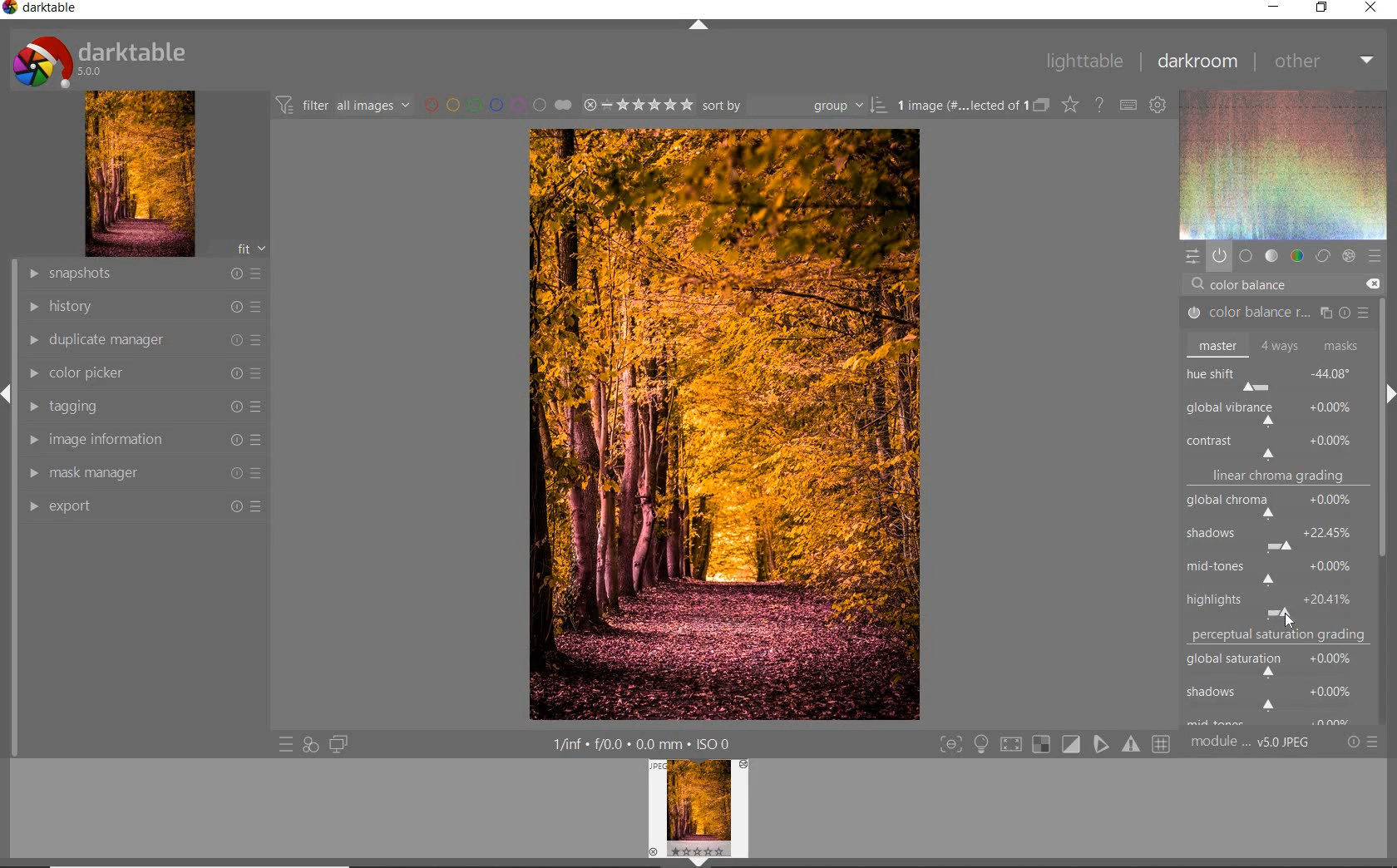 This screenshot has width=1397, height=868. I want to click on enable for online help, so click(1101, 105).